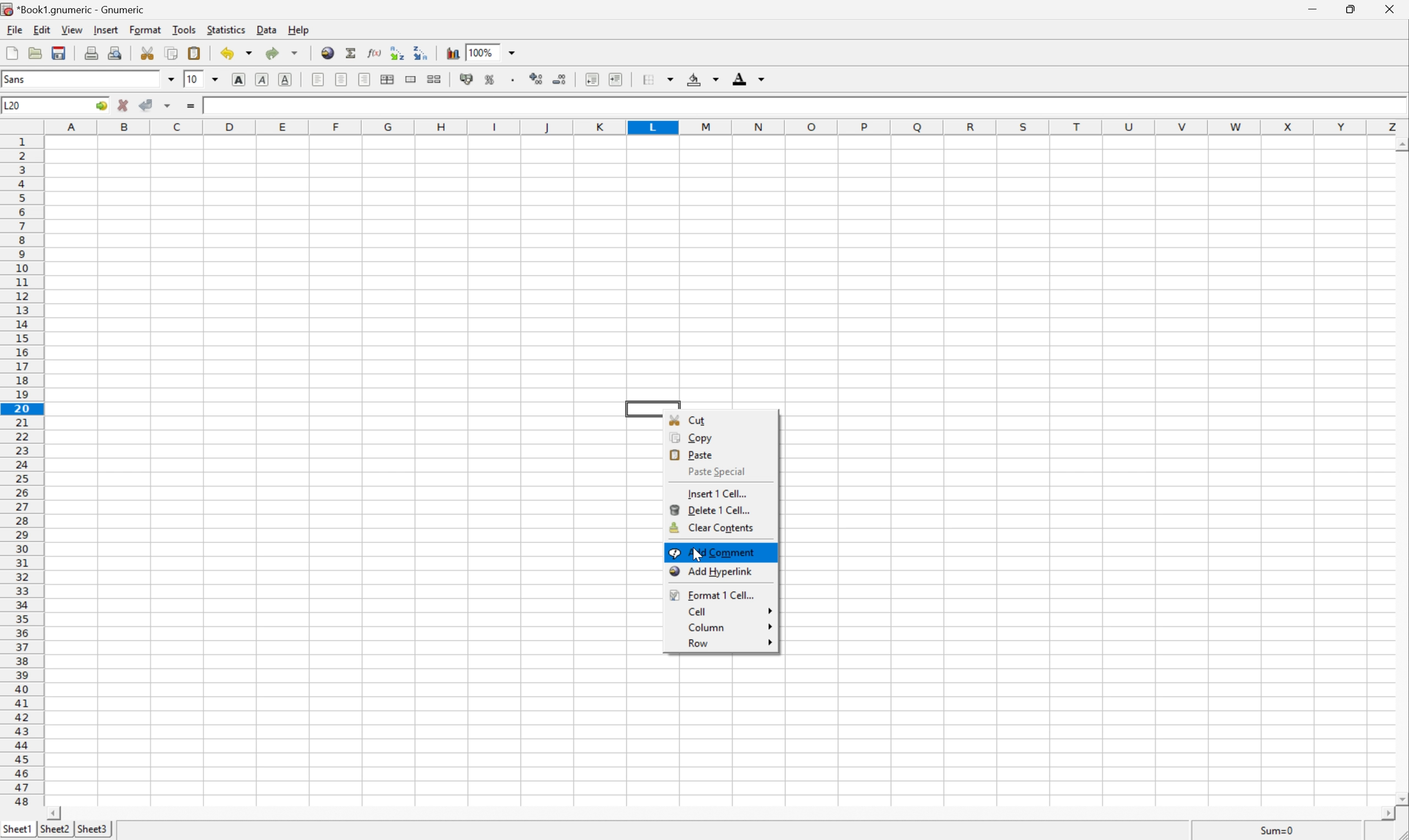  Describe the element at coordinates (168, 106) in the screenshot. I see `Accept changes in multiple cells` at that location.